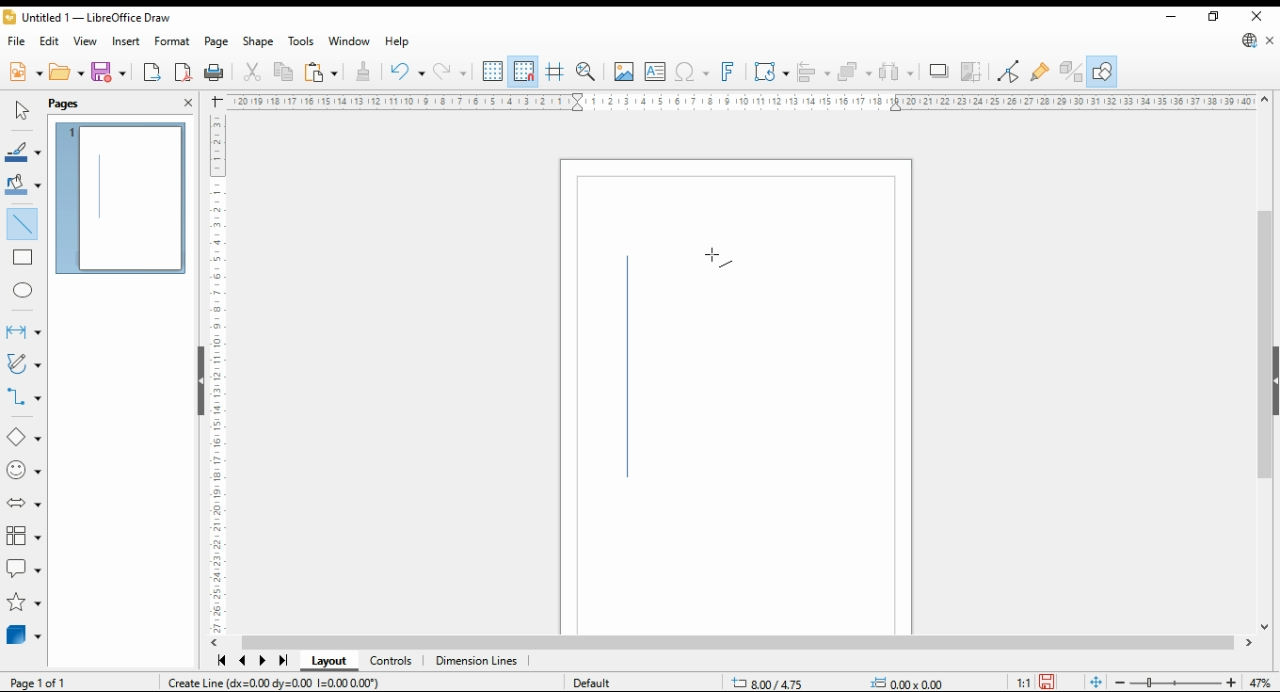 This screenshot has width=1280, height=692. I want to click on select, so click(22, 110).